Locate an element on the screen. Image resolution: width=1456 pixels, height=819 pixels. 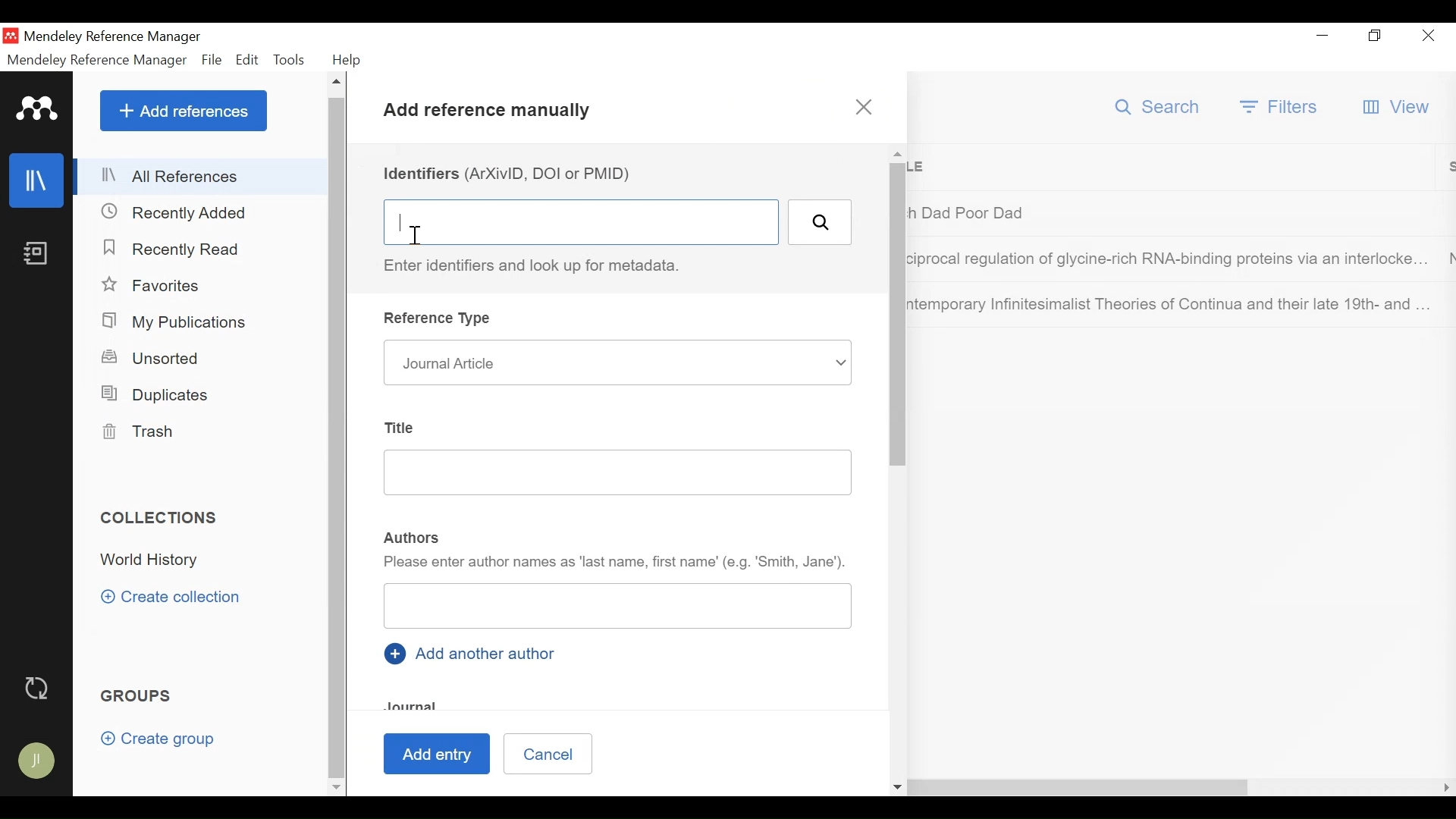
View is located at coordinates (1398, 108).